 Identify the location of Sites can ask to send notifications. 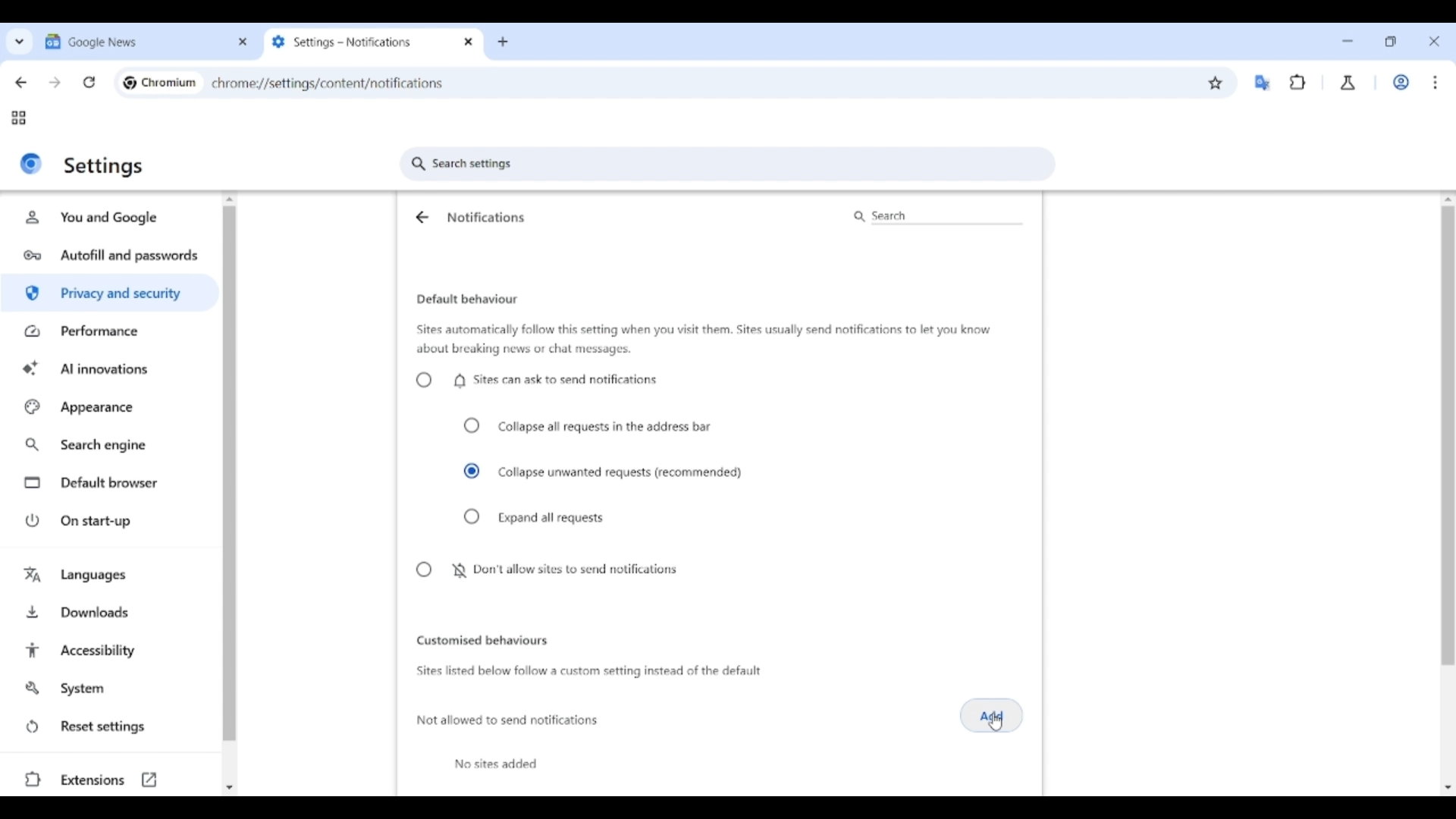
(536, 380).